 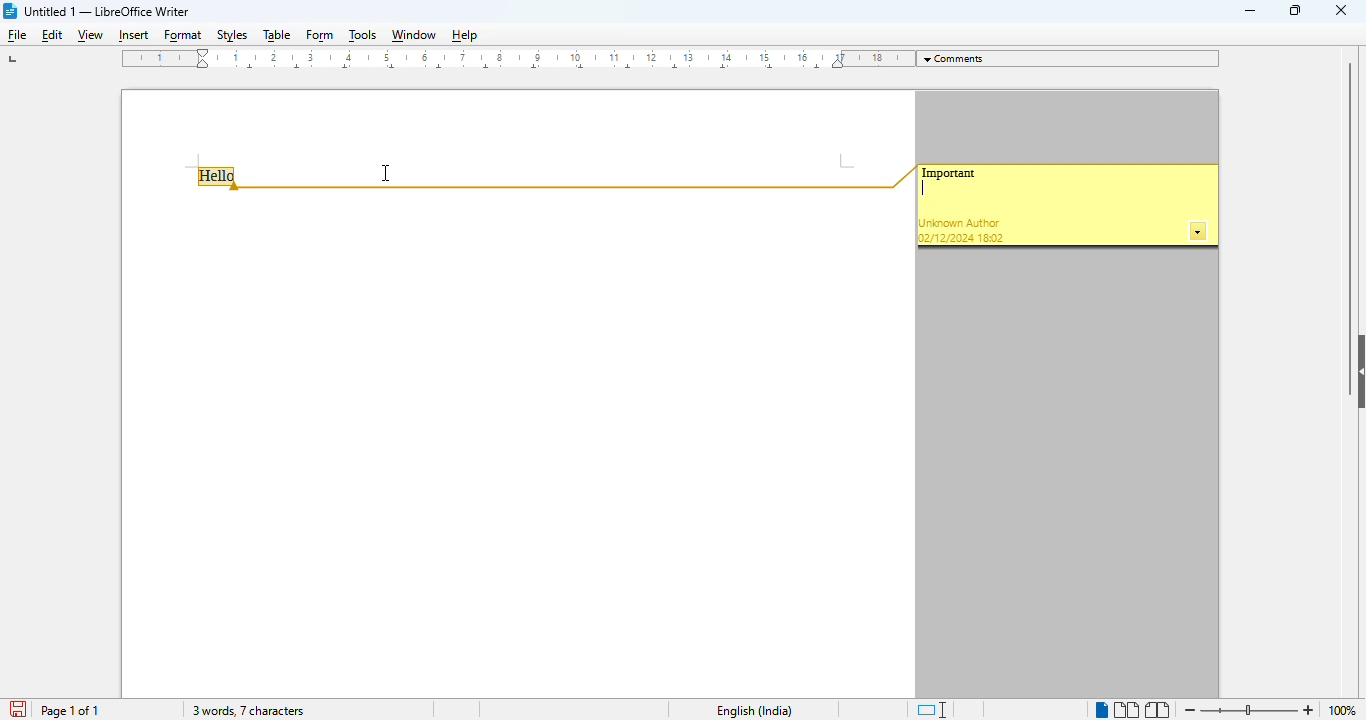 What do you see at coordinates (1295, 9) in the screenshot?
I see `maximize` at bounding box center [1295, 9].